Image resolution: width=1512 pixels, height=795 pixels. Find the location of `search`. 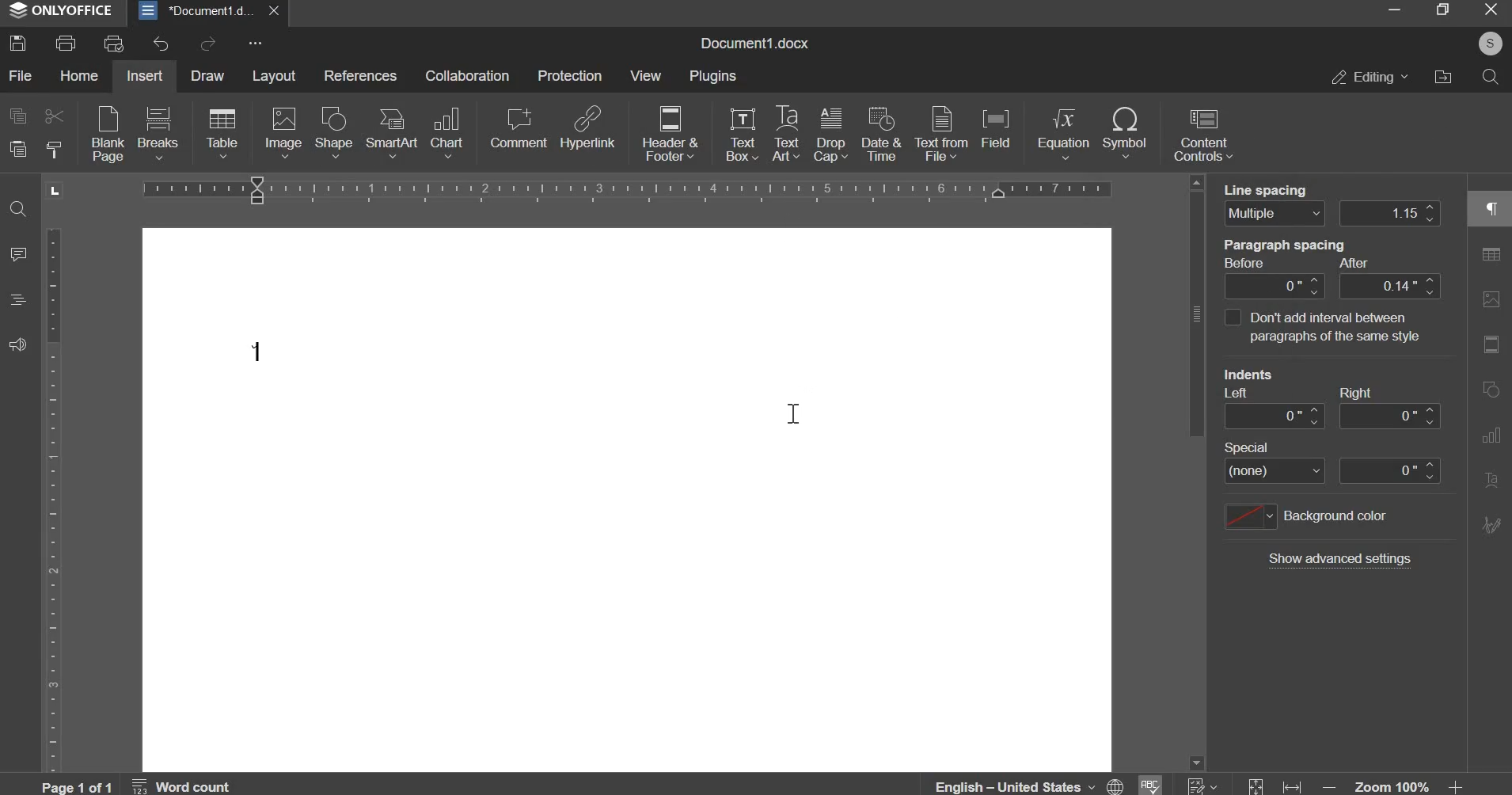

search is located at coordinates (1491, 77).